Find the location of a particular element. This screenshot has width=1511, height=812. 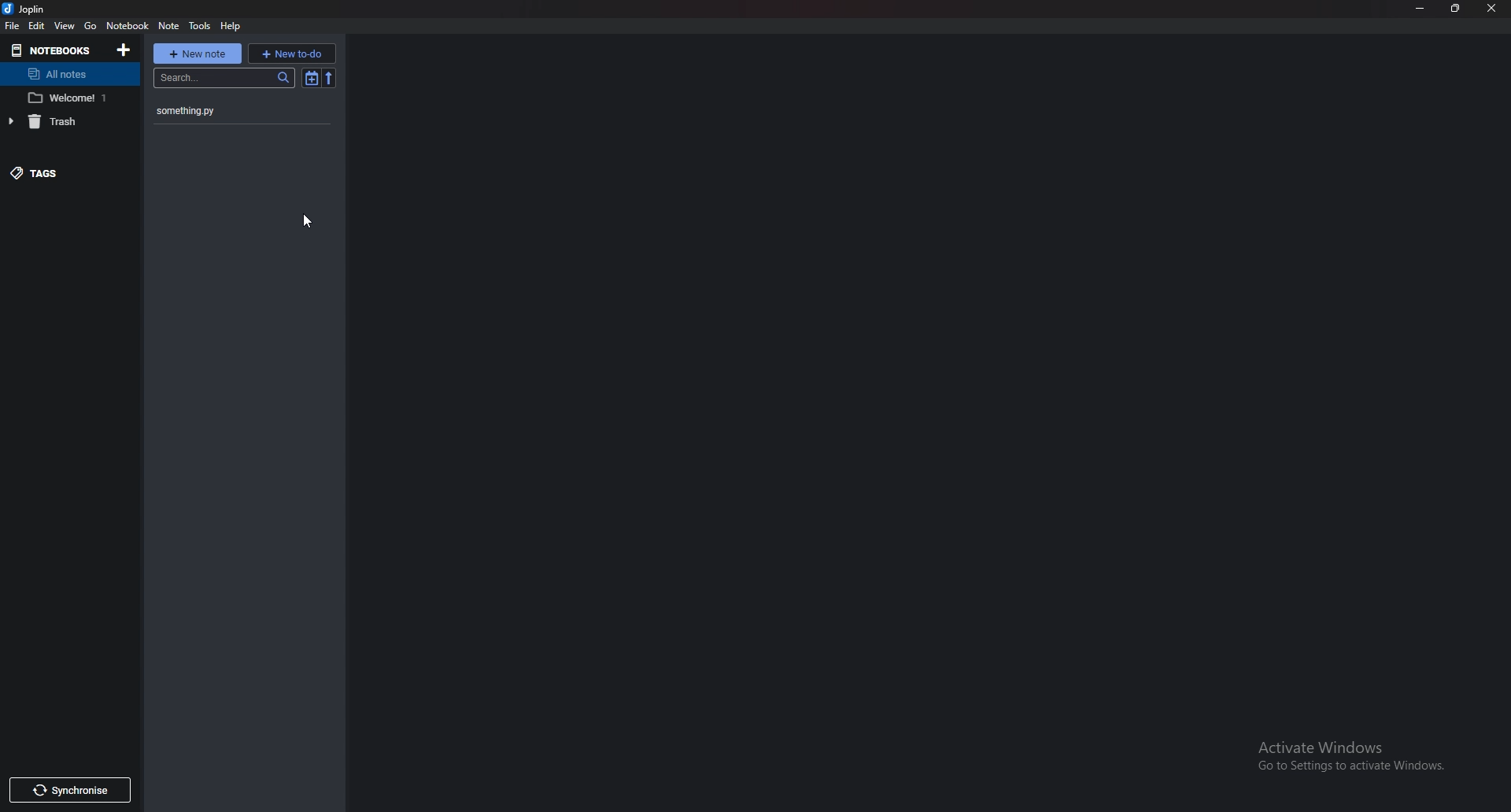

Notebook is located at coordinates (127, 25).